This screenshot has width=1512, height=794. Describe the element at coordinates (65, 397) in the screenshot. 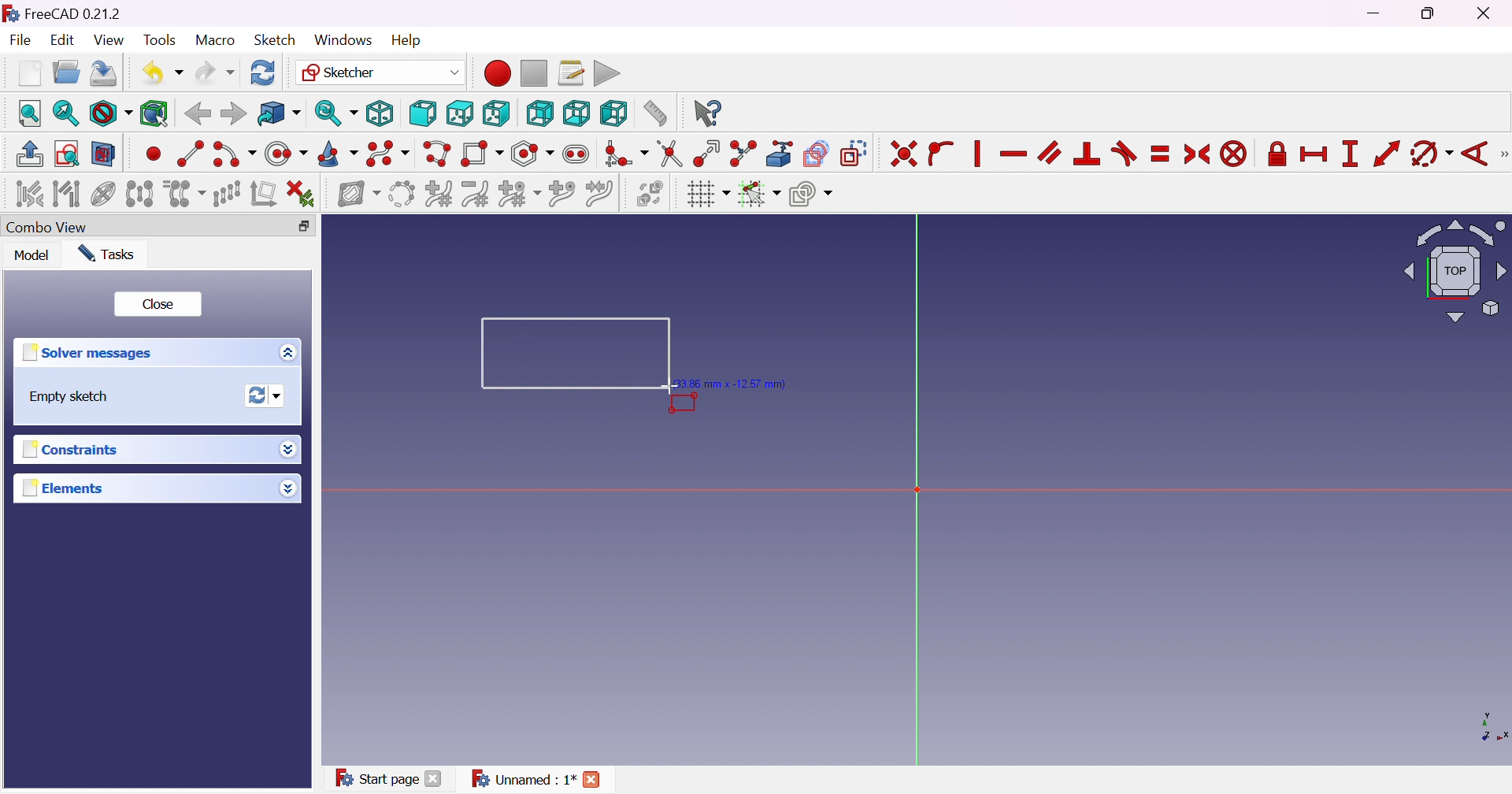

I see `Empty sketch` at that location.